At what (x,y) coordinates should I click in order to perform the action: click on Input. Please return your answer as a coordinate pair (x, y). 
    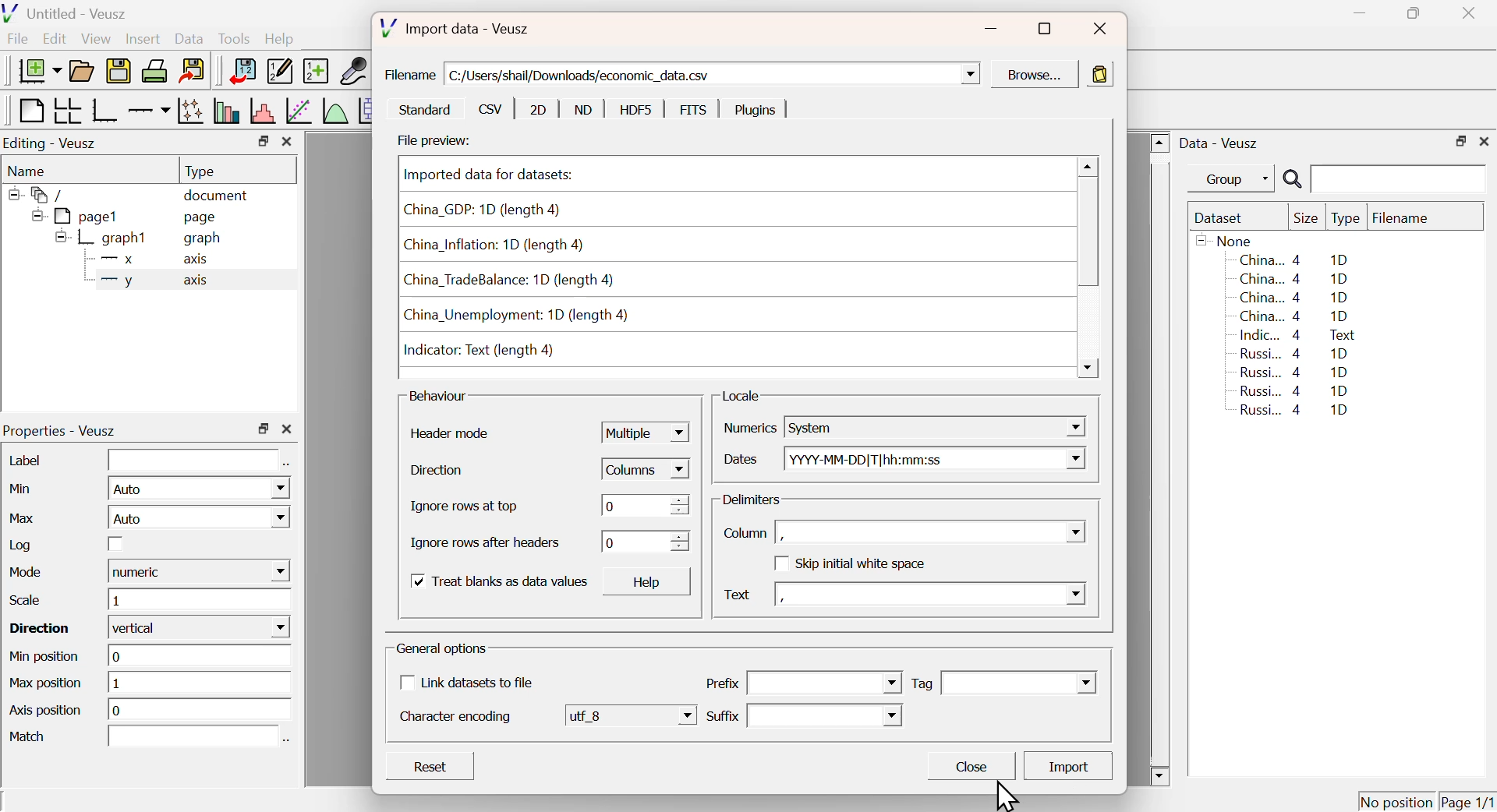
    Looking at the image, I should click on (193, 461).